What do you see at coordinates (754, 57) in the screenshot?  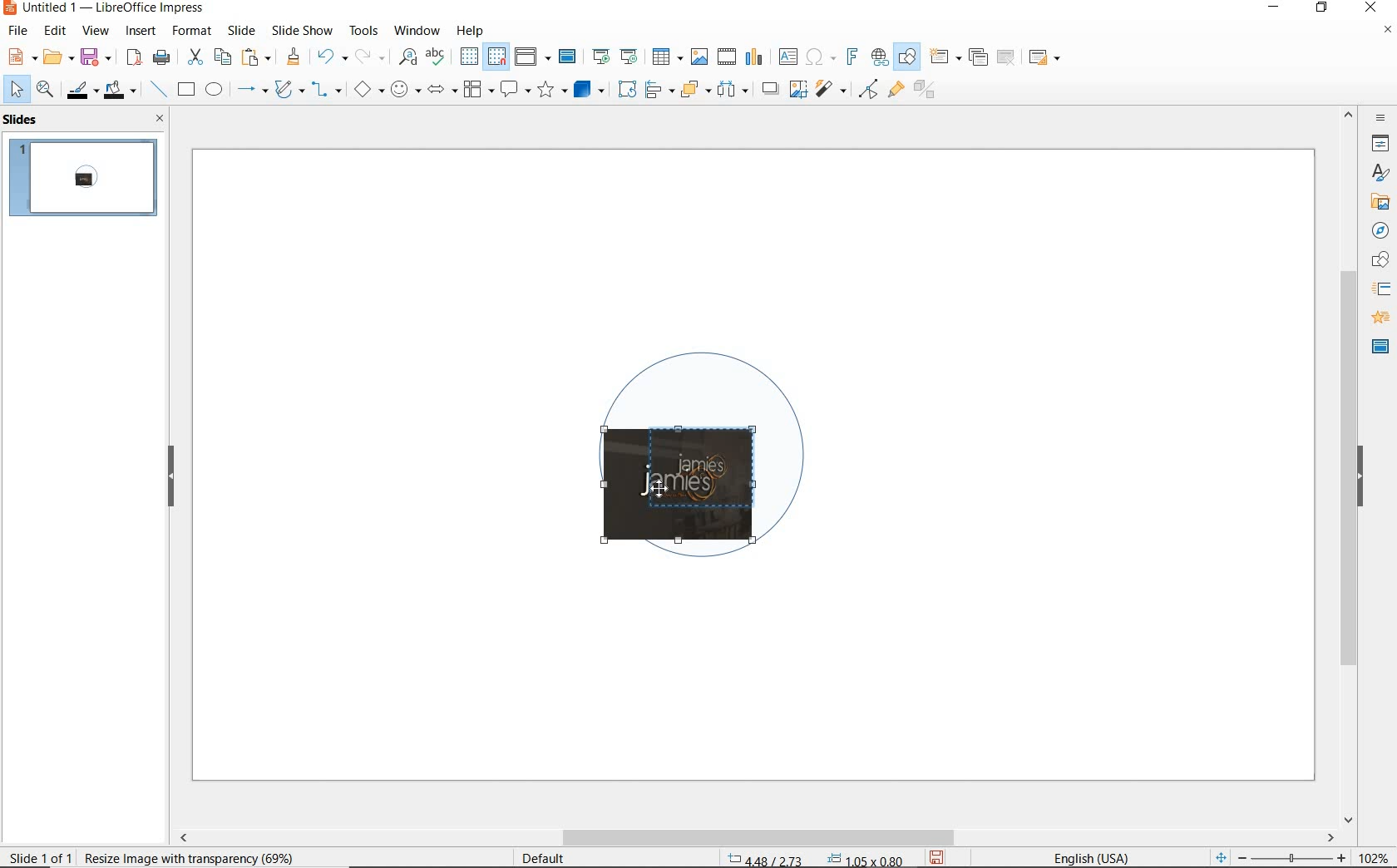 I see `insert chart` at bounding box center [754, 57].